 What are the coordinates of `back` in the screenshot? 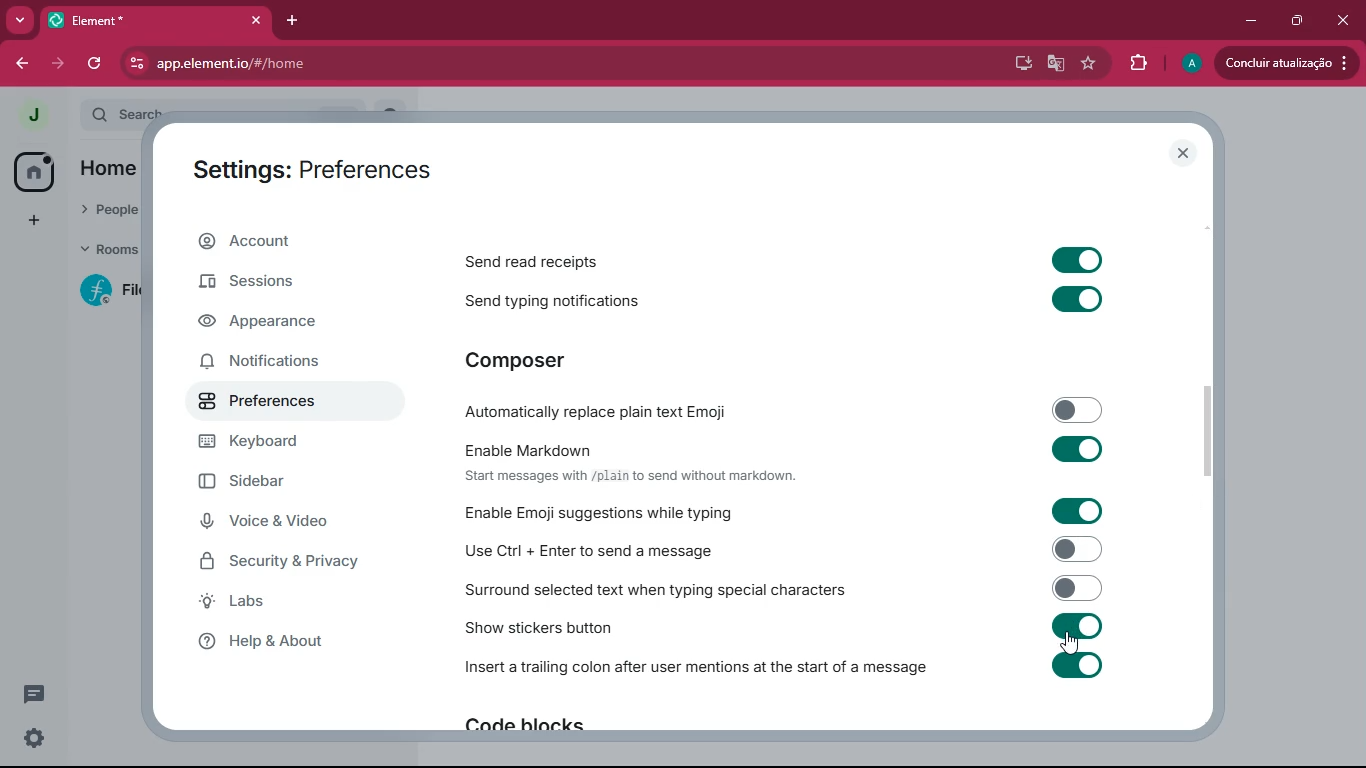 It's located at (25, 64).